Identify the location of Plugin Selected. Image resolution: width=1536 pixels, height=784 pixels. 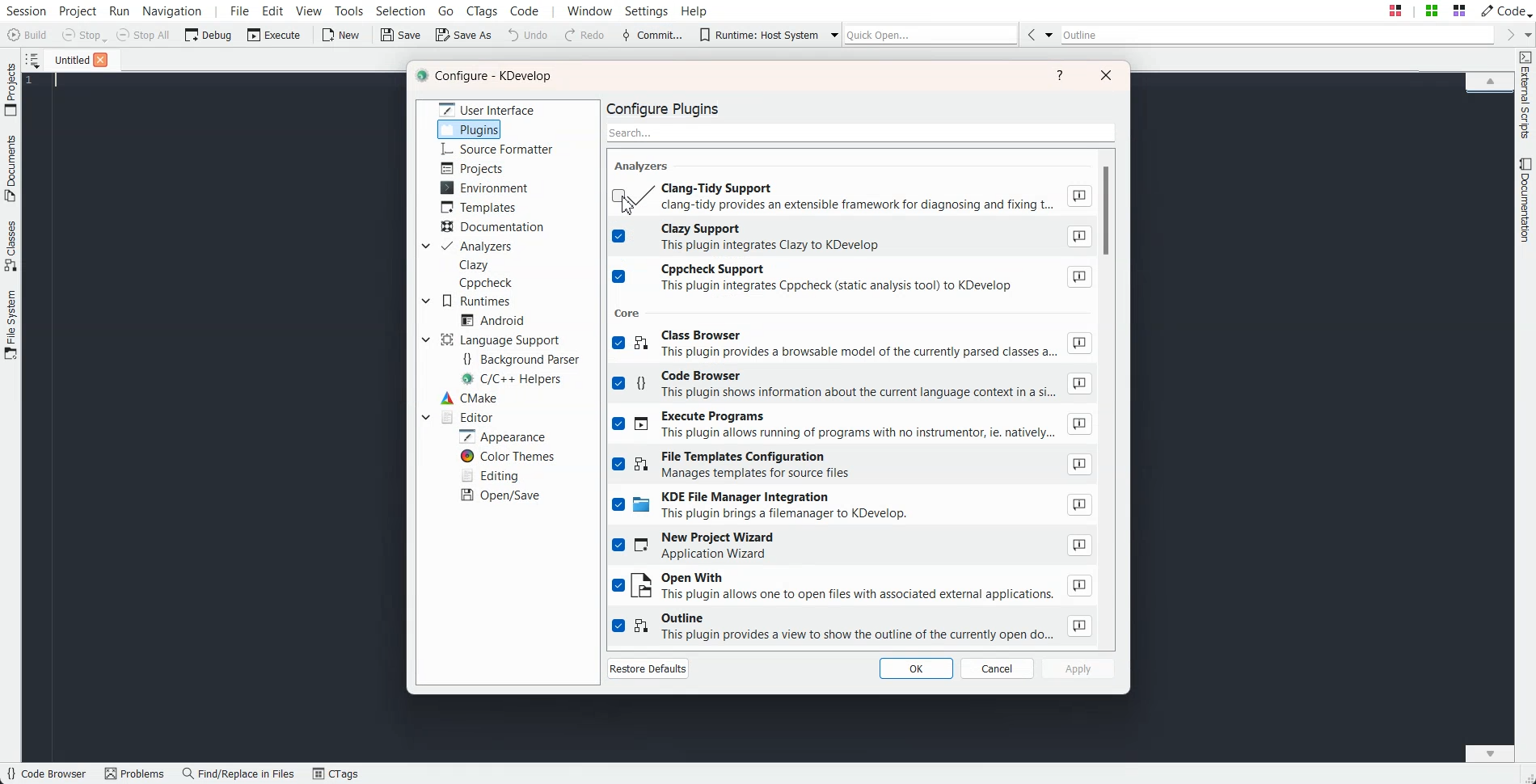
(470, 129).